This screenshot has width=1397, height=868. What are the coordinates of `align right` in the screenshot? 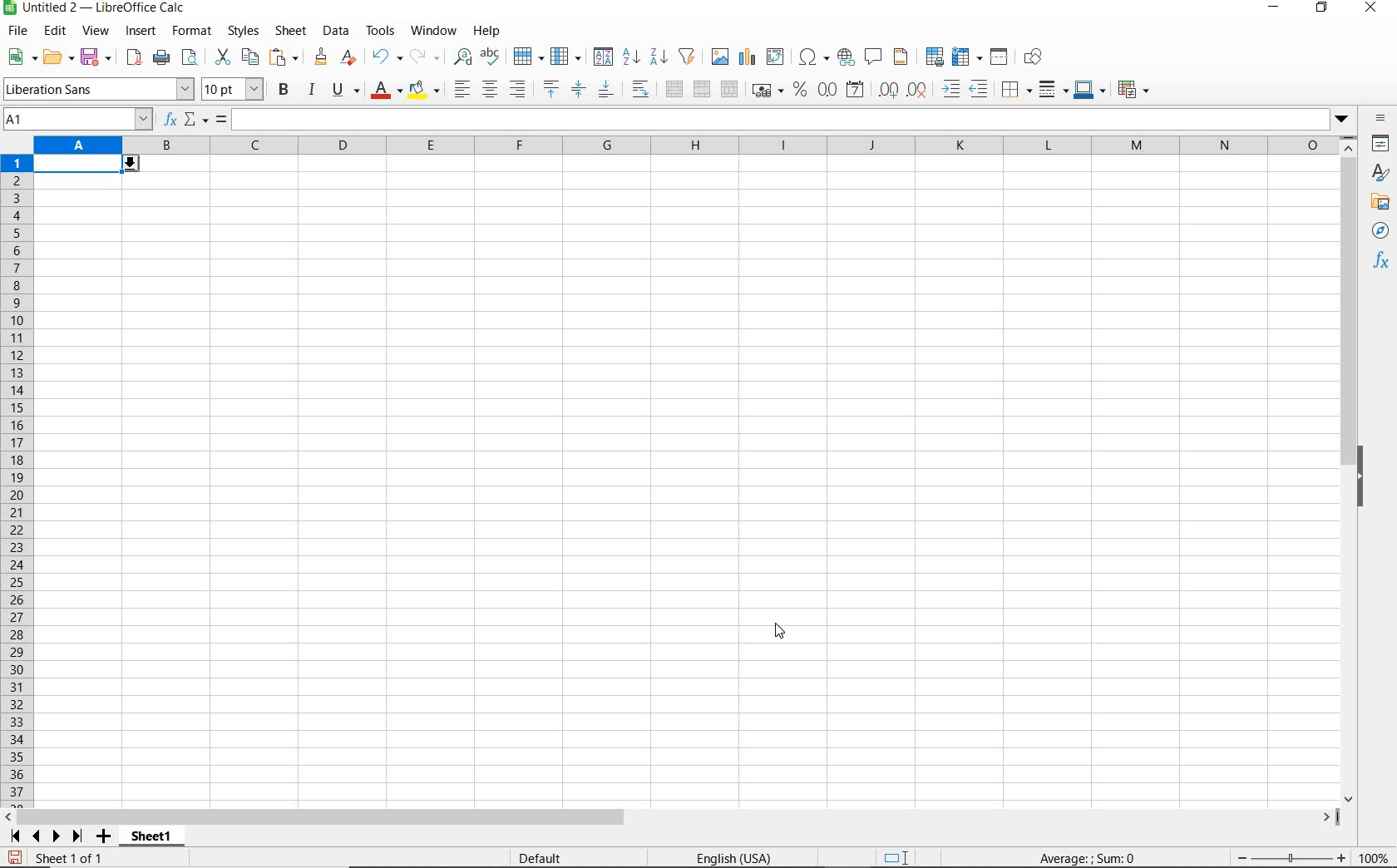 It's located at (519, 89).